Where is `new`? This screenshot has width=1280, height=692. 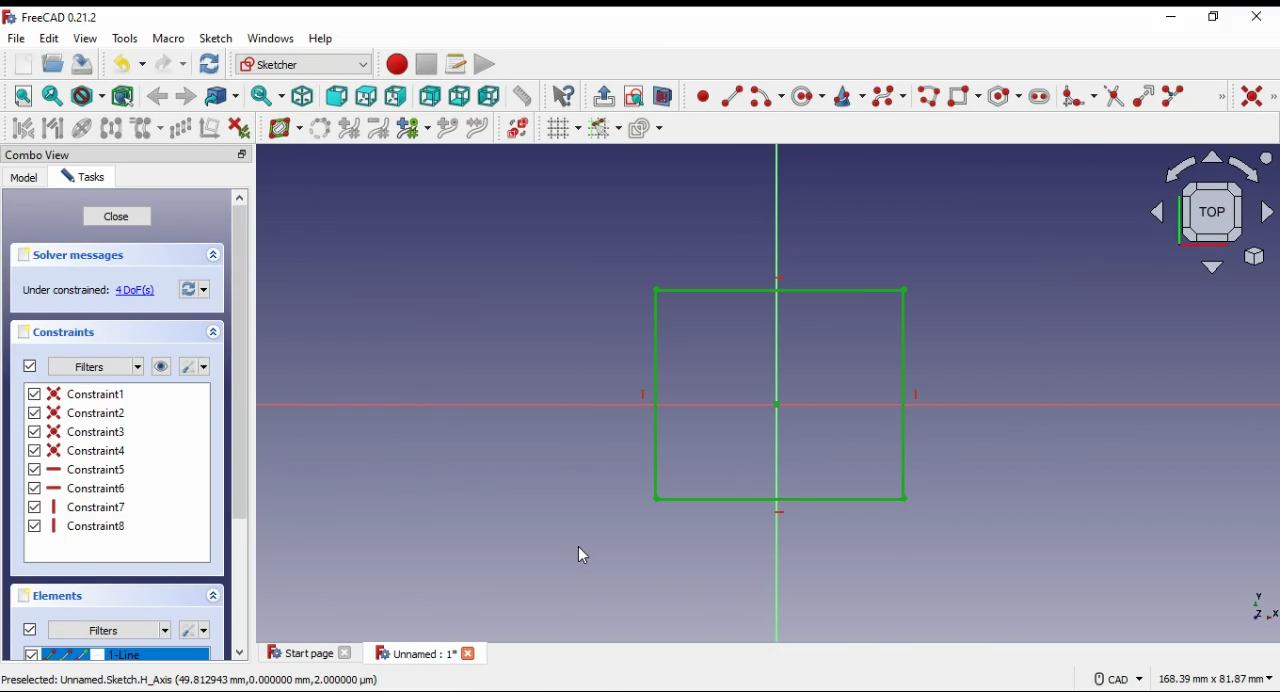
new is located at coordinates (23, 64).